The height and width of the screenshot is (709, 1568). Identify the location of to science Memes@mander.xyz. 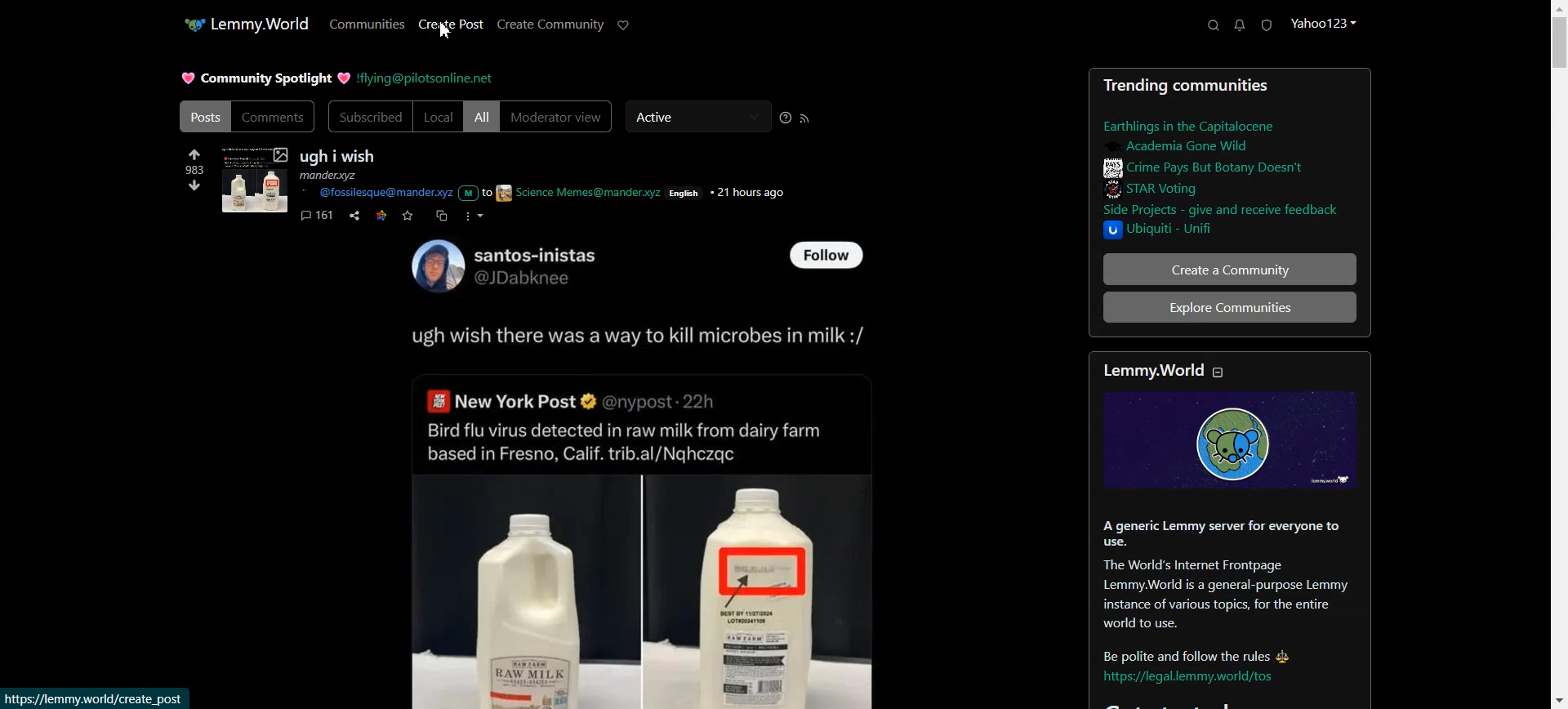
(569, 193).